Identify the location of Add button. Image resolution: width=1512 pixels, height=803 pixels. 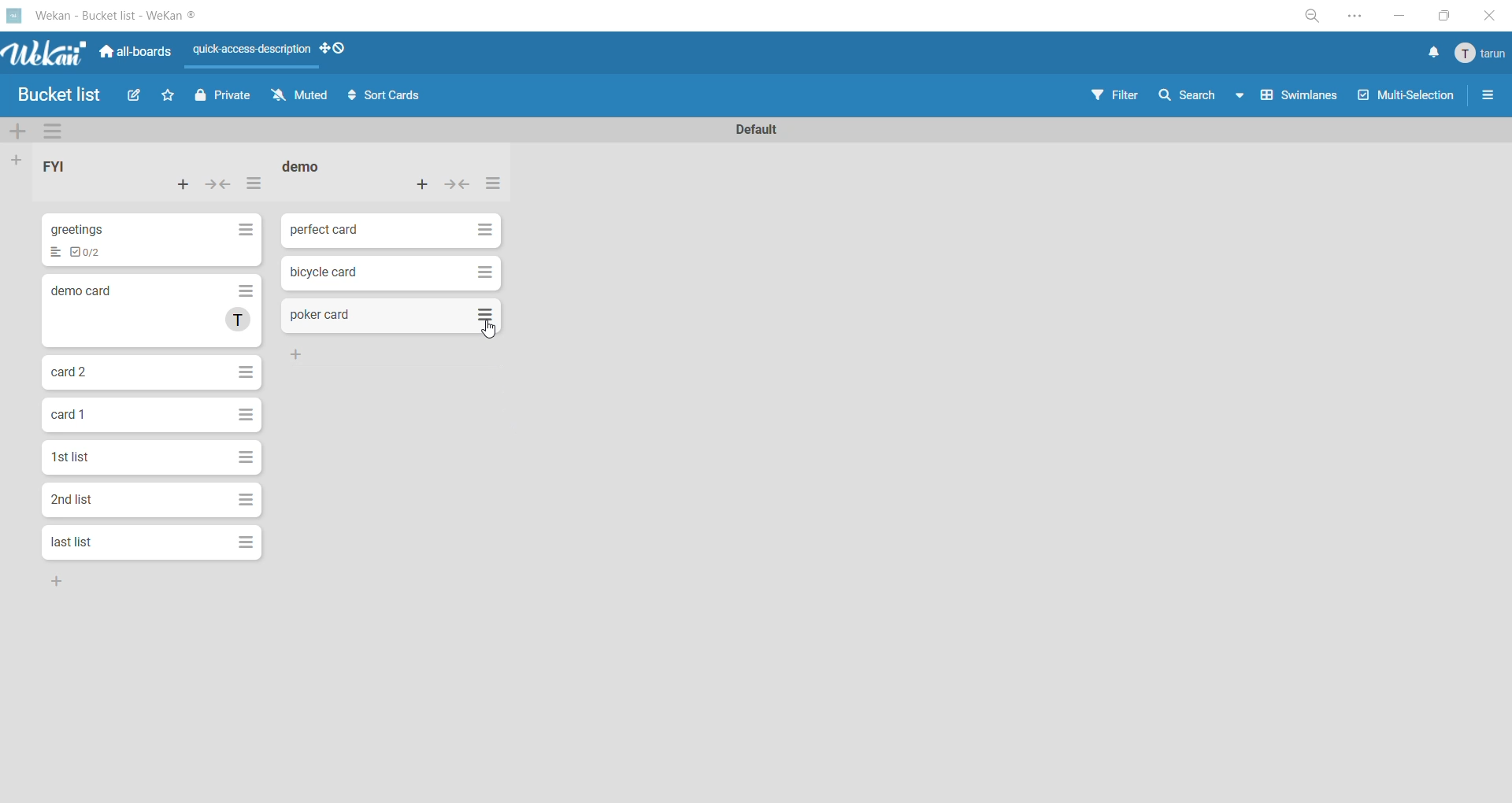
(302, 355).